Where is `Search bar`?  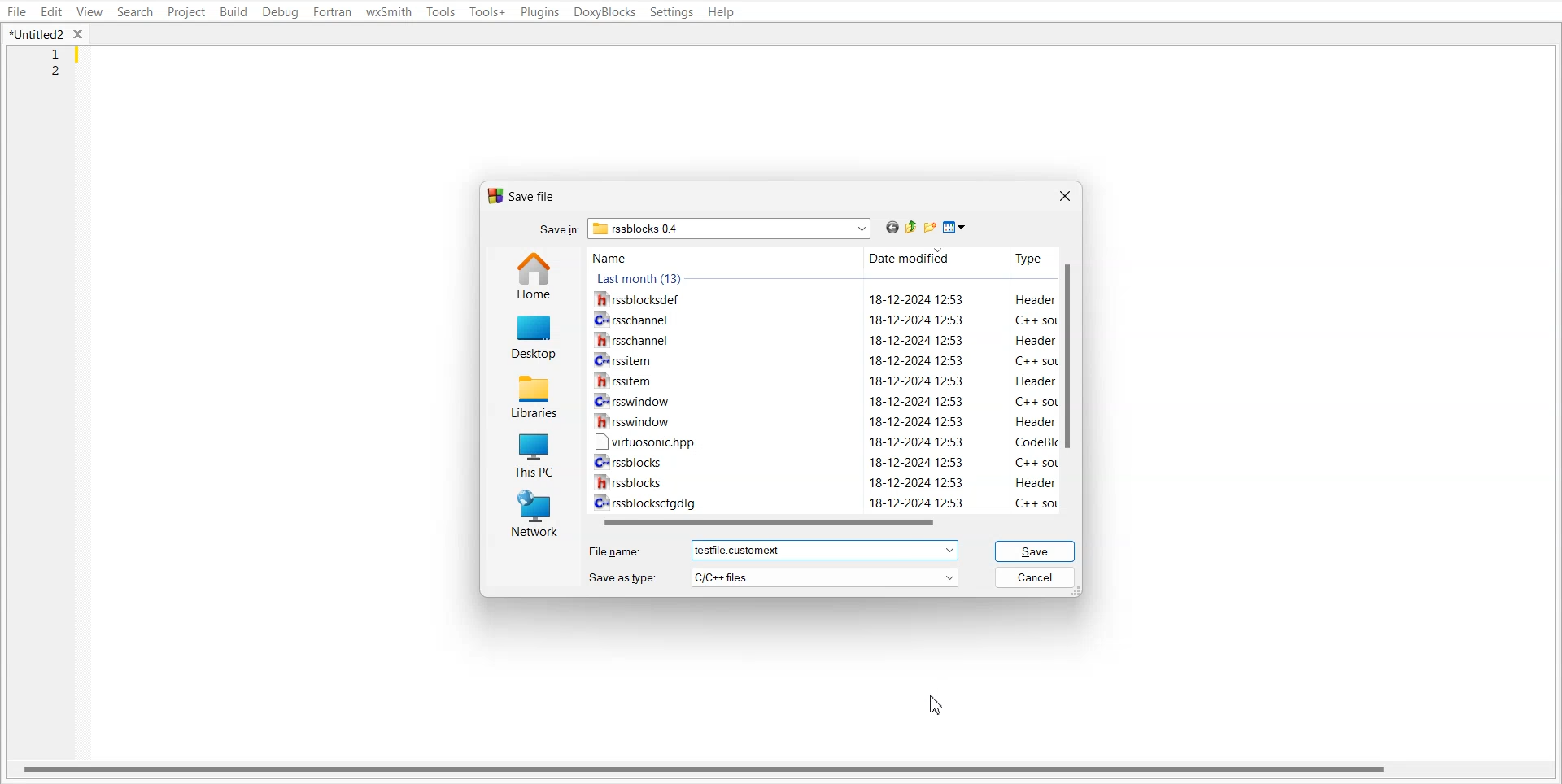
Search bar is located at coordinates (704, 228).